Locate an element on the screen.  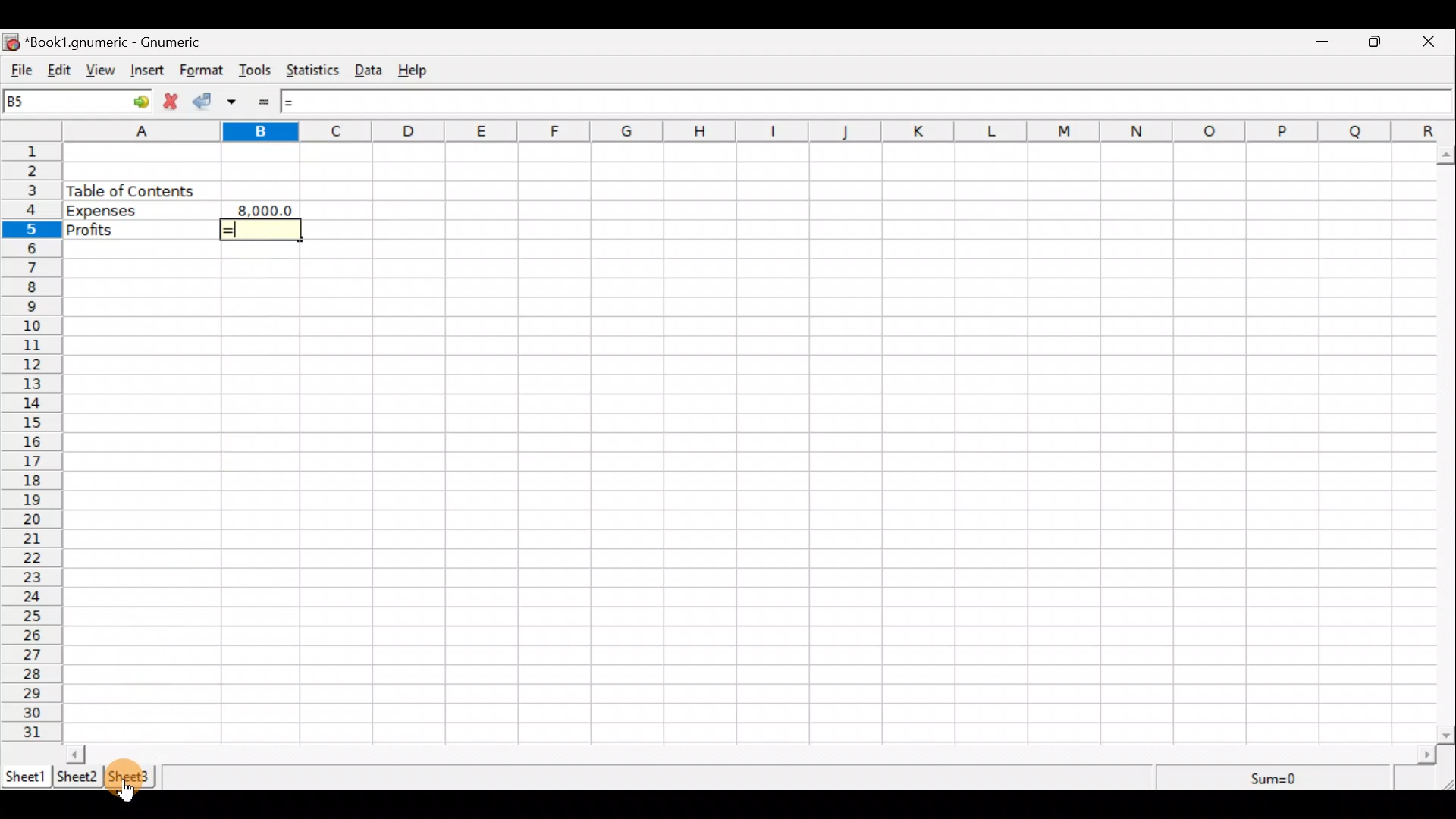
Cell name is located at coordinates (78, 101).